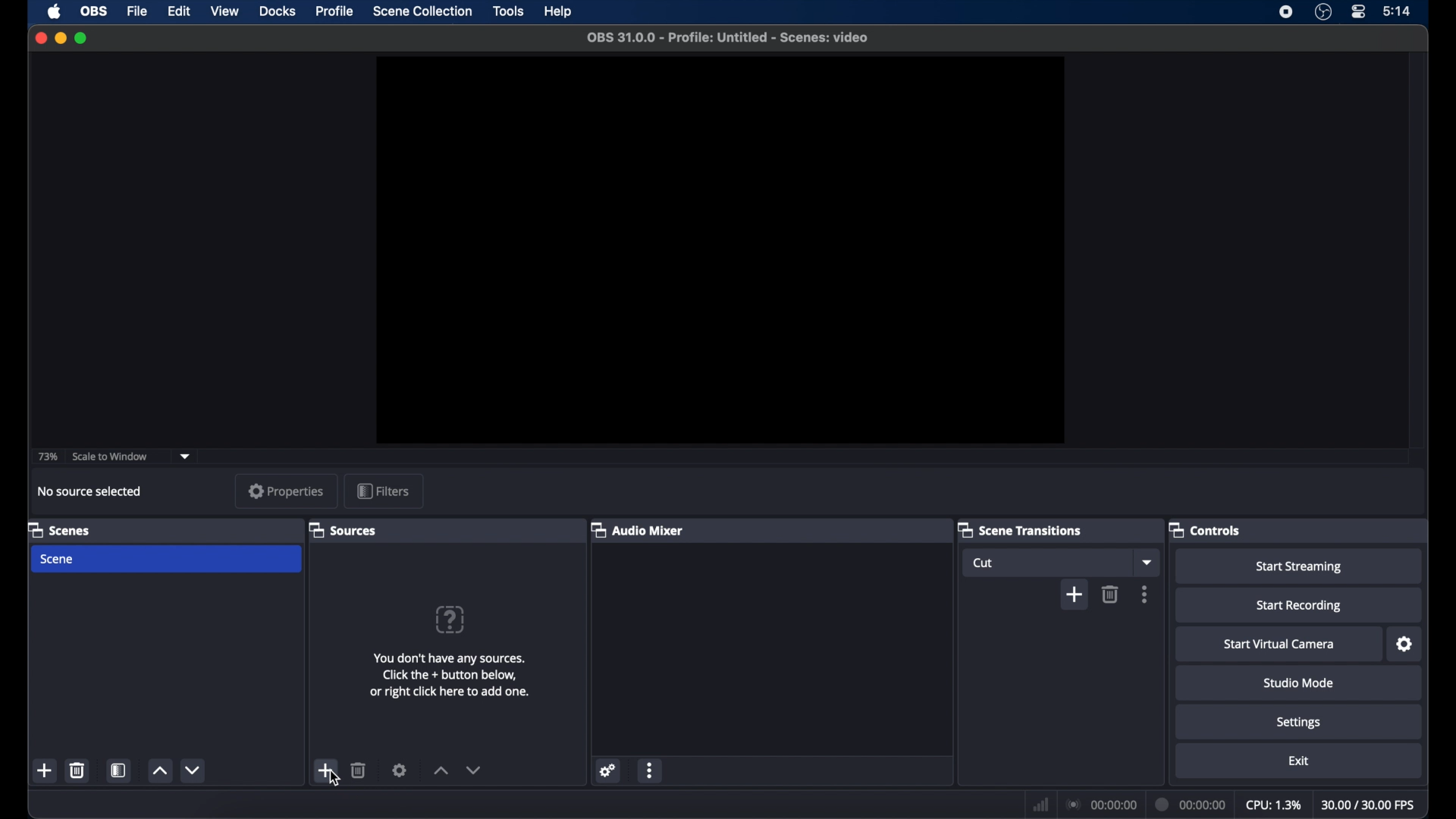  Describe the element at coordinates (1039, 805) in the screenshot. I see `network` at that location.